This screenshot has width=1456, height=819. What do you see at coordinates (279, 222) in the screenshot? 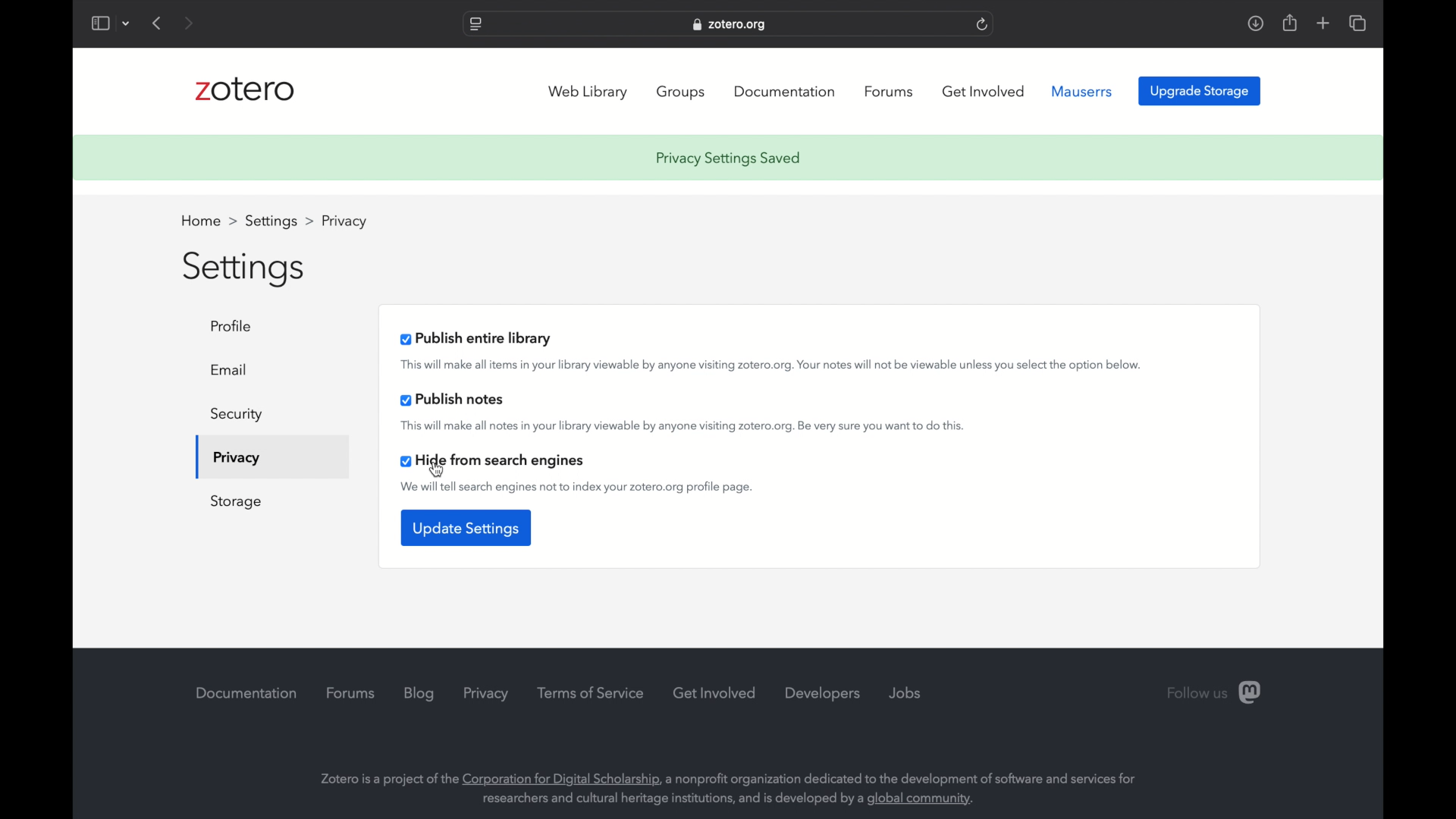
I see `settings` at bounding box center [279, 222].